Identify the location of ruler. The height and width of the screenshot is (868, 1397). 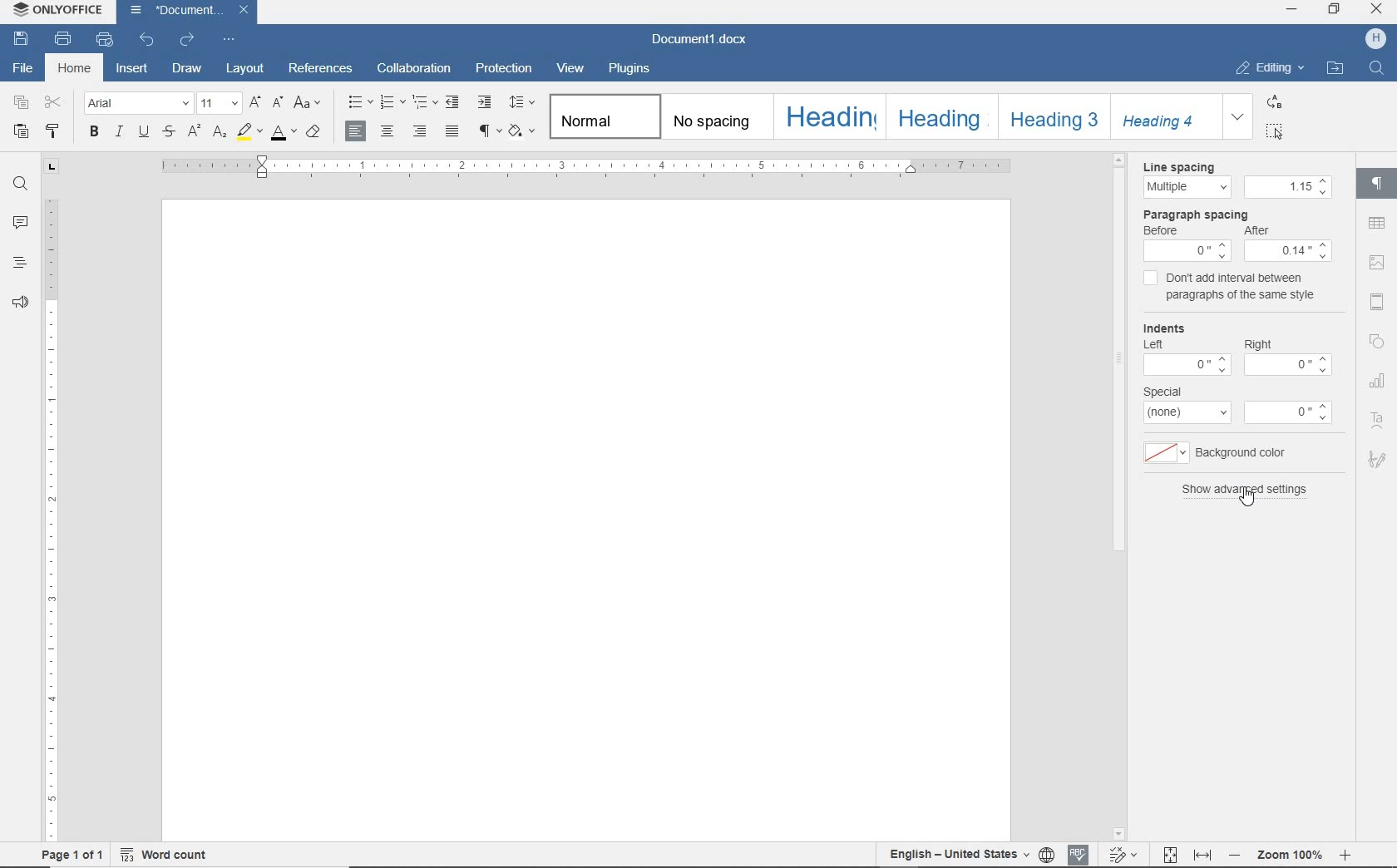
(579, 169).